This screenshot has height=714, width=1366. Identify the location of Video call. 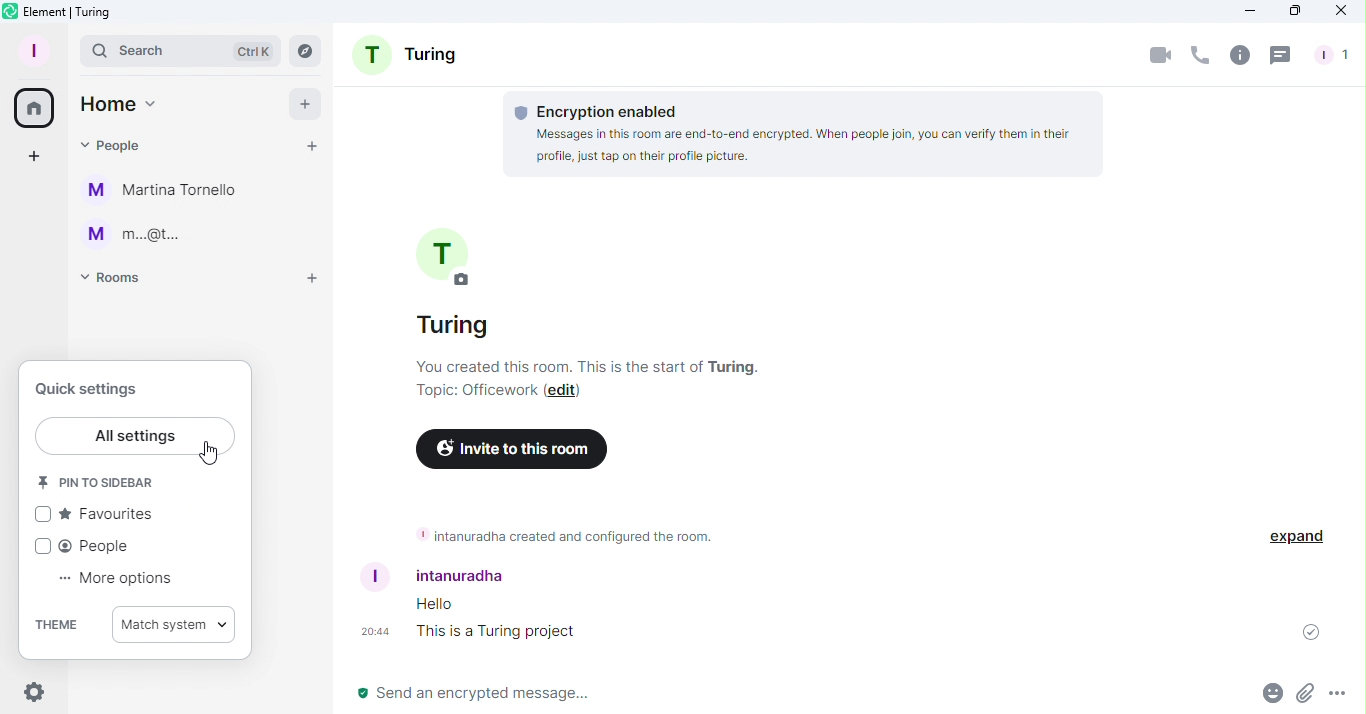
(1160, 54).